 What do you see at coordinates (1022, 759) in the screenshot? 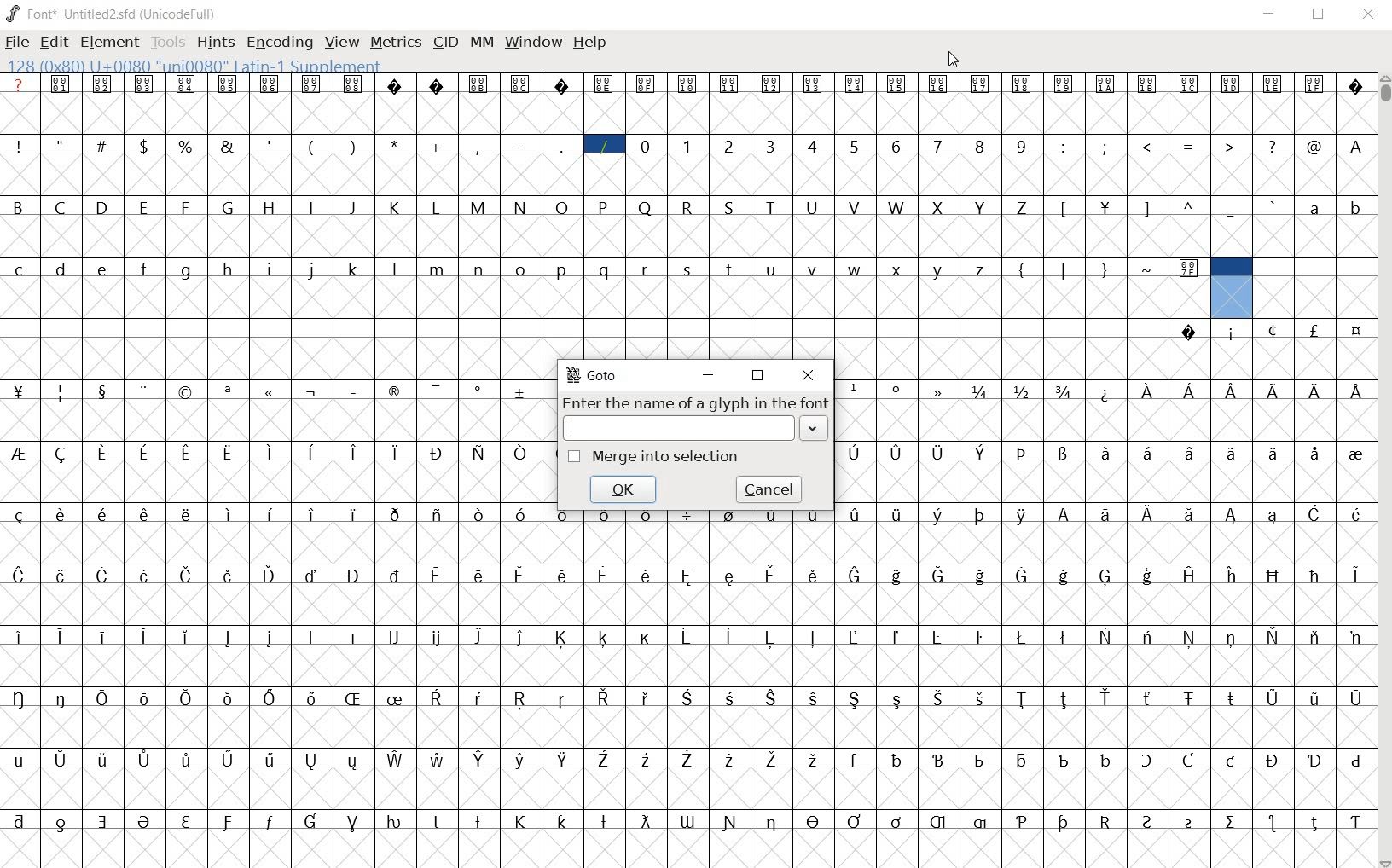
I see `Symbol` at bounding box center [1022, 759].